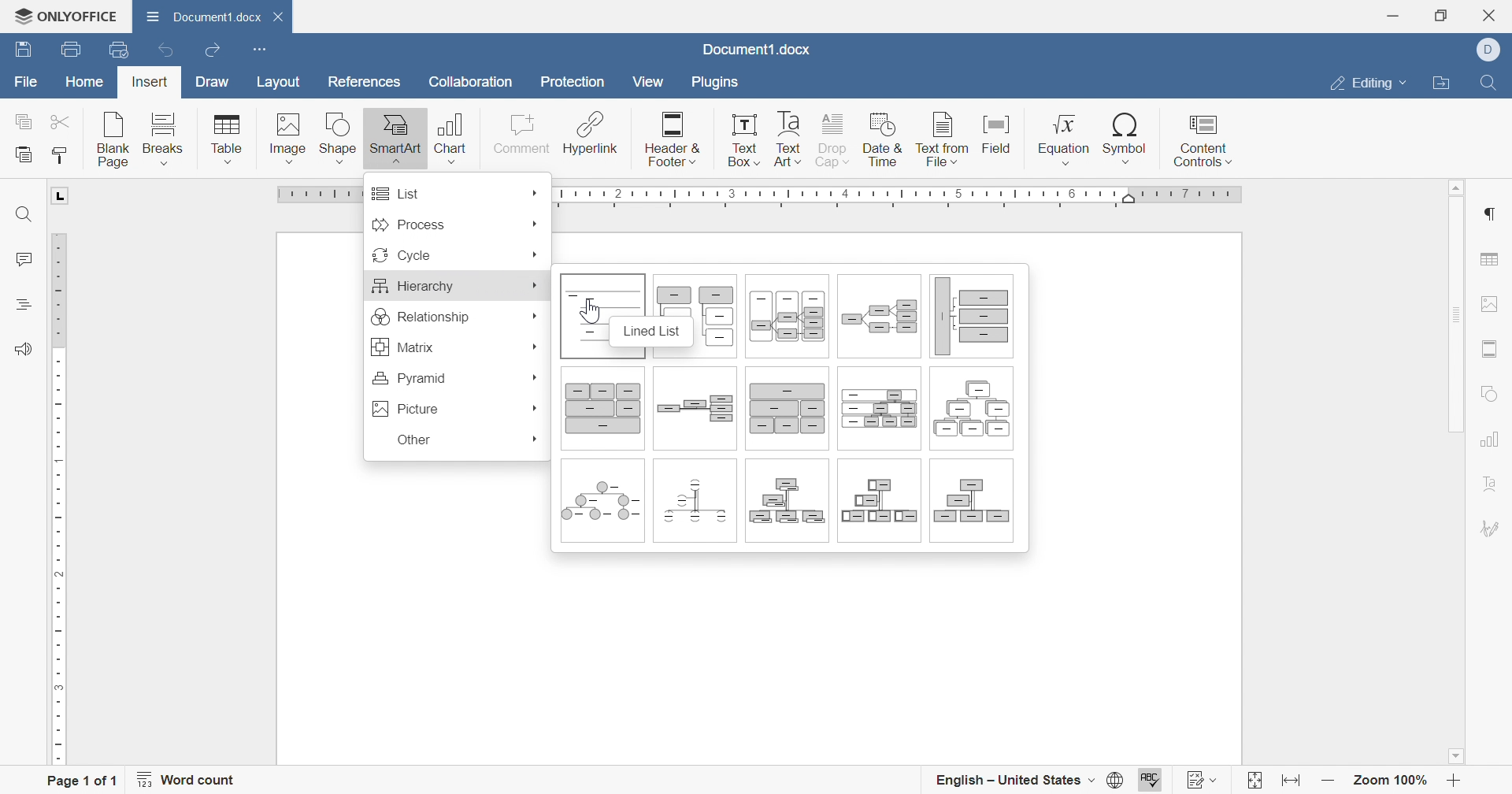 This screenshot has width=1512, height=794. Describe the element at coordinates (206, 20) in the screenshot. I see `Document1.docx` at that location.